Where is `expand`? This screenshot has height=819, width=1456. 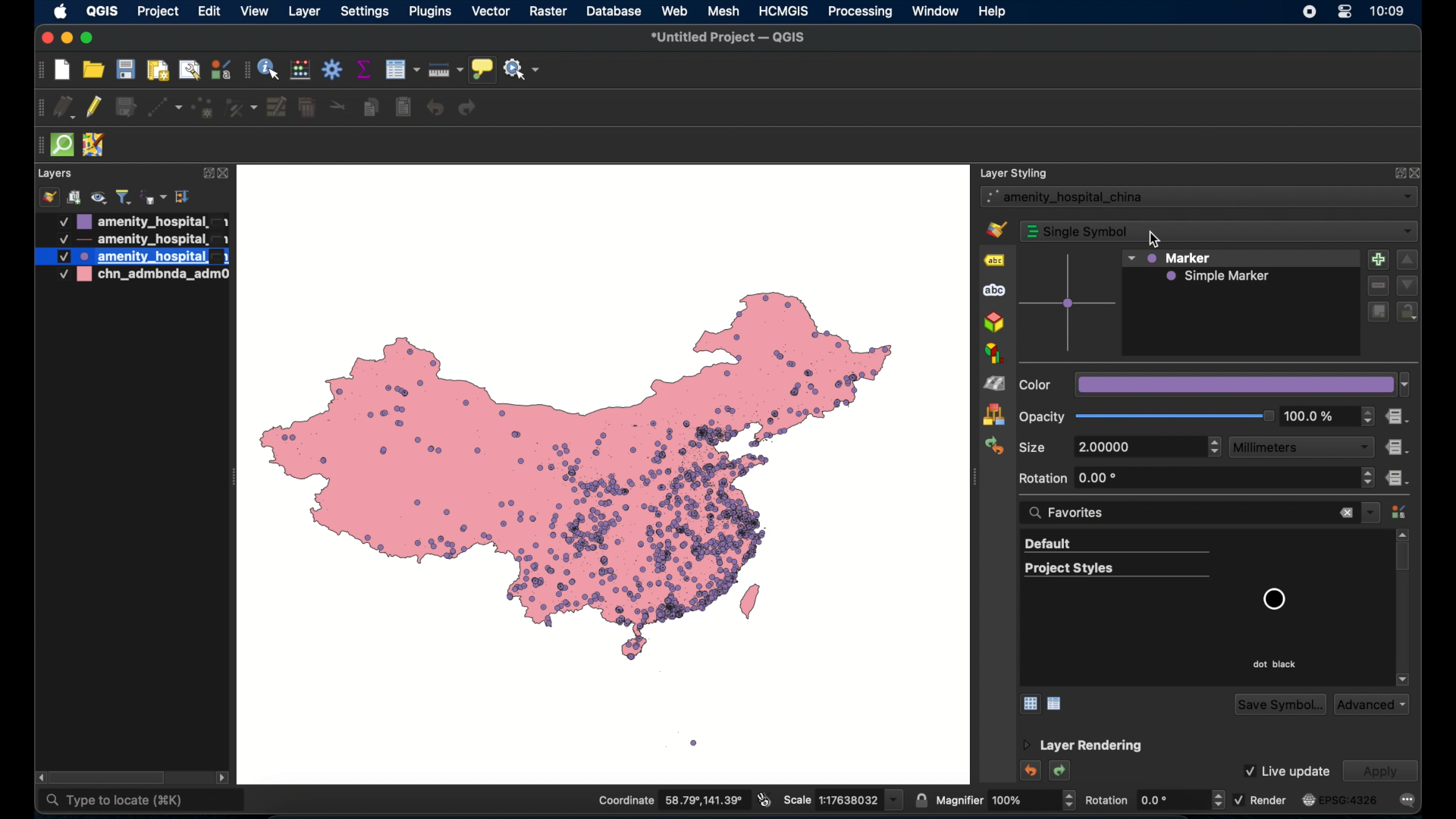
expand is located at coordinates (204, 173).